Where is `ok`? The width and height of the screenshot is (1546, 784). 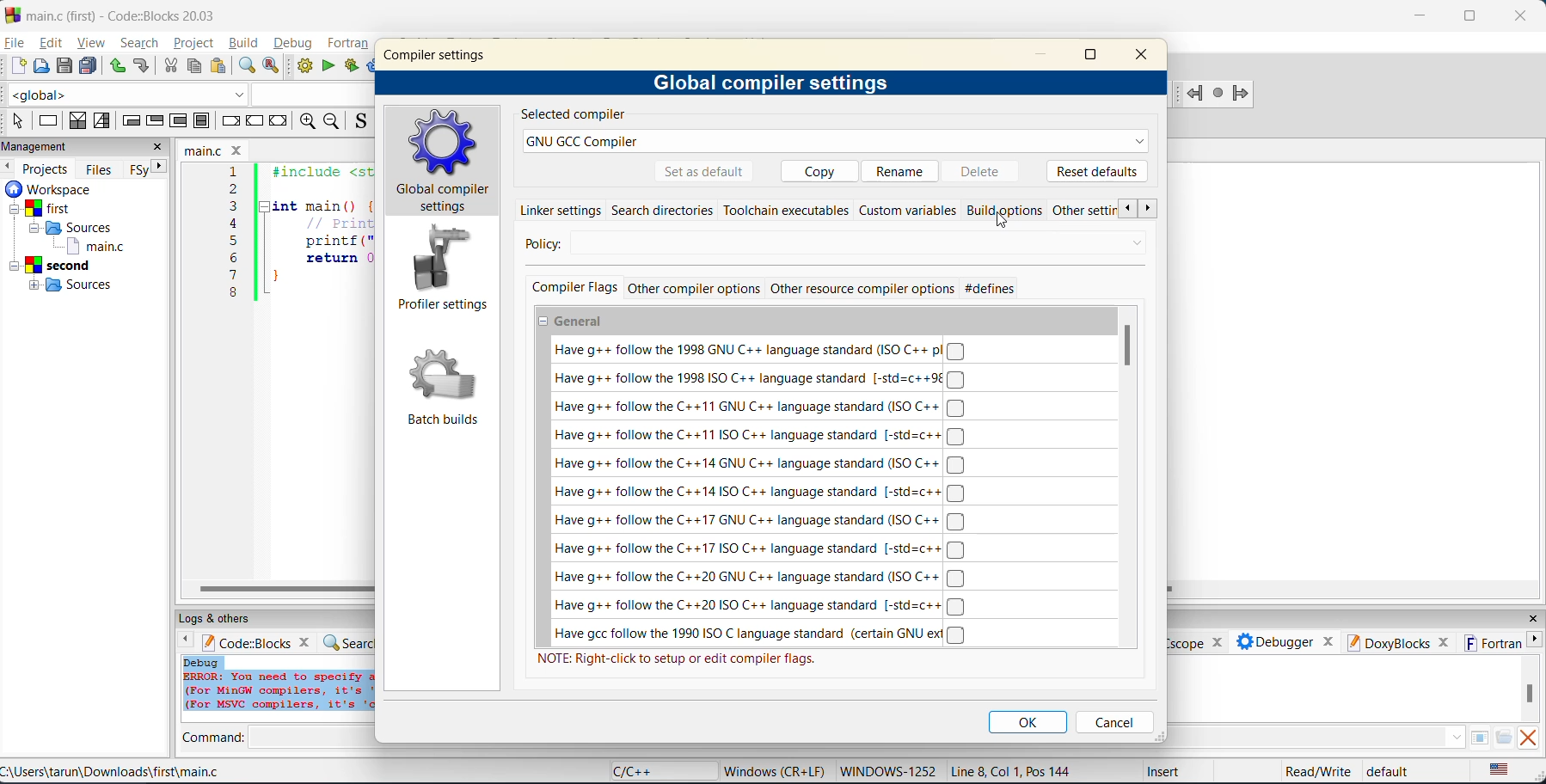 ok is located at coordinates (1030, 722).